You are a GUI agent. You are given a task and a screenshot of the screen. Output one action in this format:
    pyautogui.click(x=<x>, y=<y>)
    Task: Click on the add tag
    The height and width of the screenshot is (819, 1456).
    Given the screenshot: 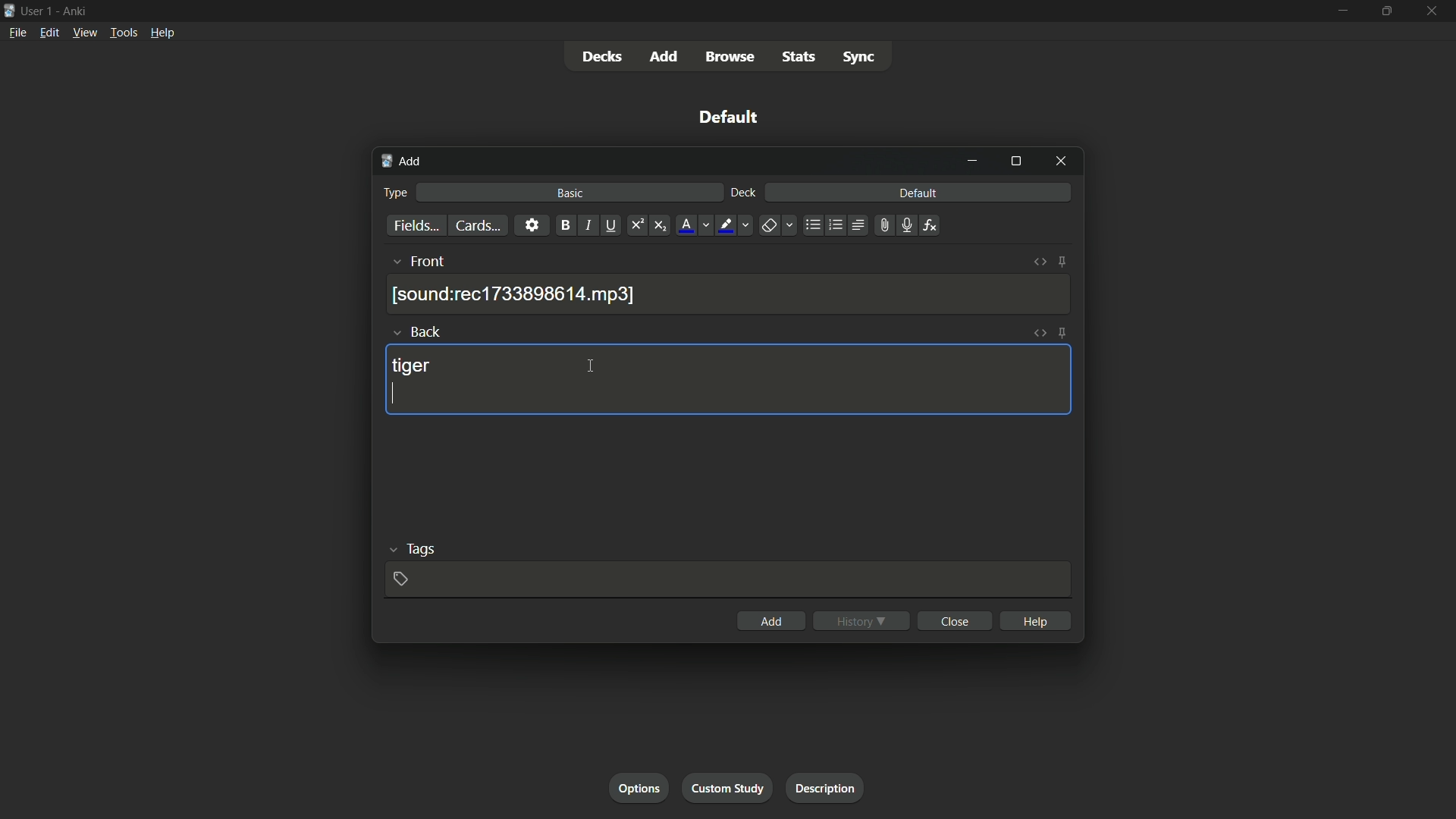 What is the action you would take?
    pyautogui.click(x=401, y=578)
    